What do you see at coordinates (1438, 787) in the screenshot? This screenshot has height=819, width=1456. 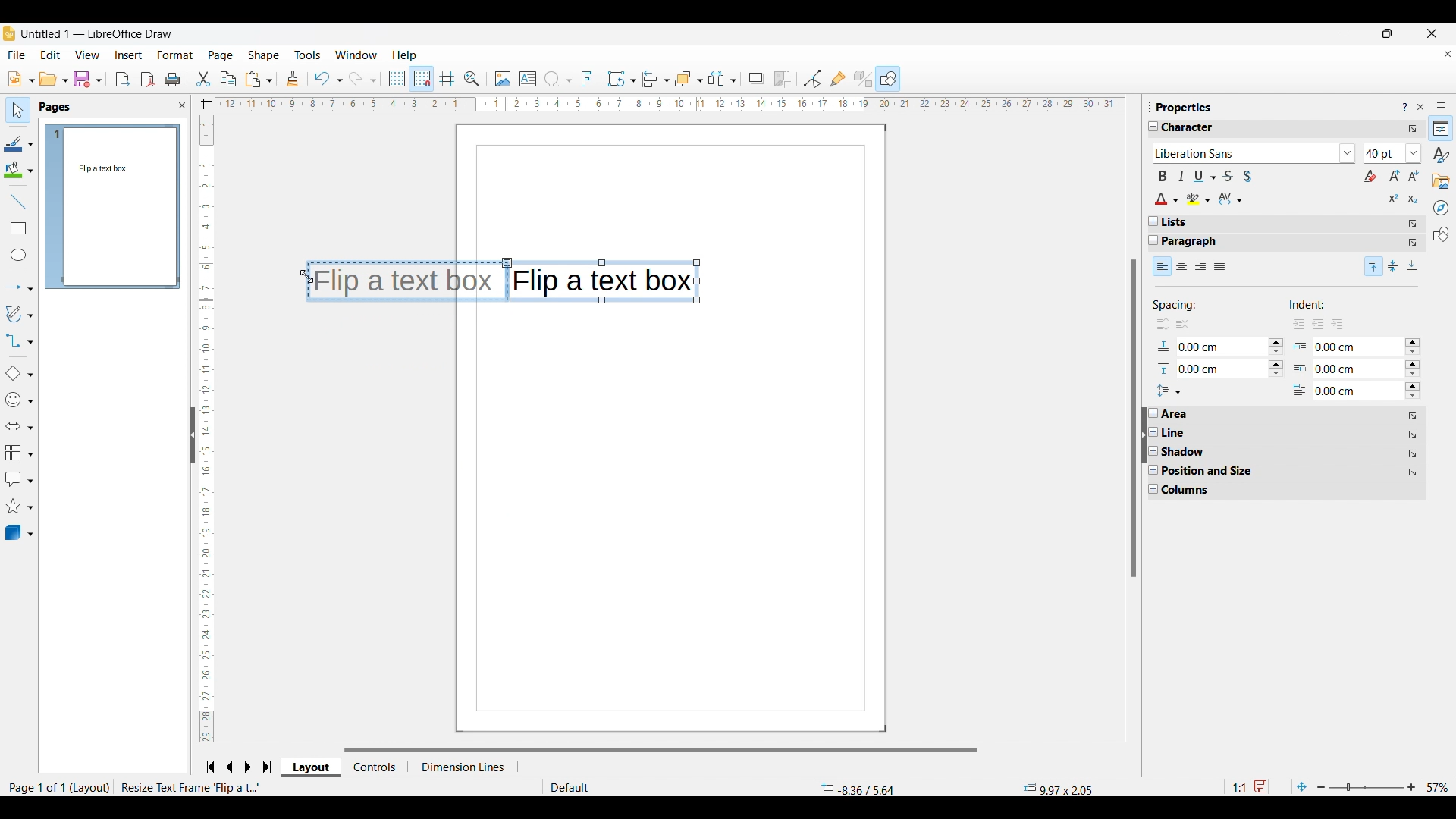 I see `57%` at bounding box center [1438, 787].